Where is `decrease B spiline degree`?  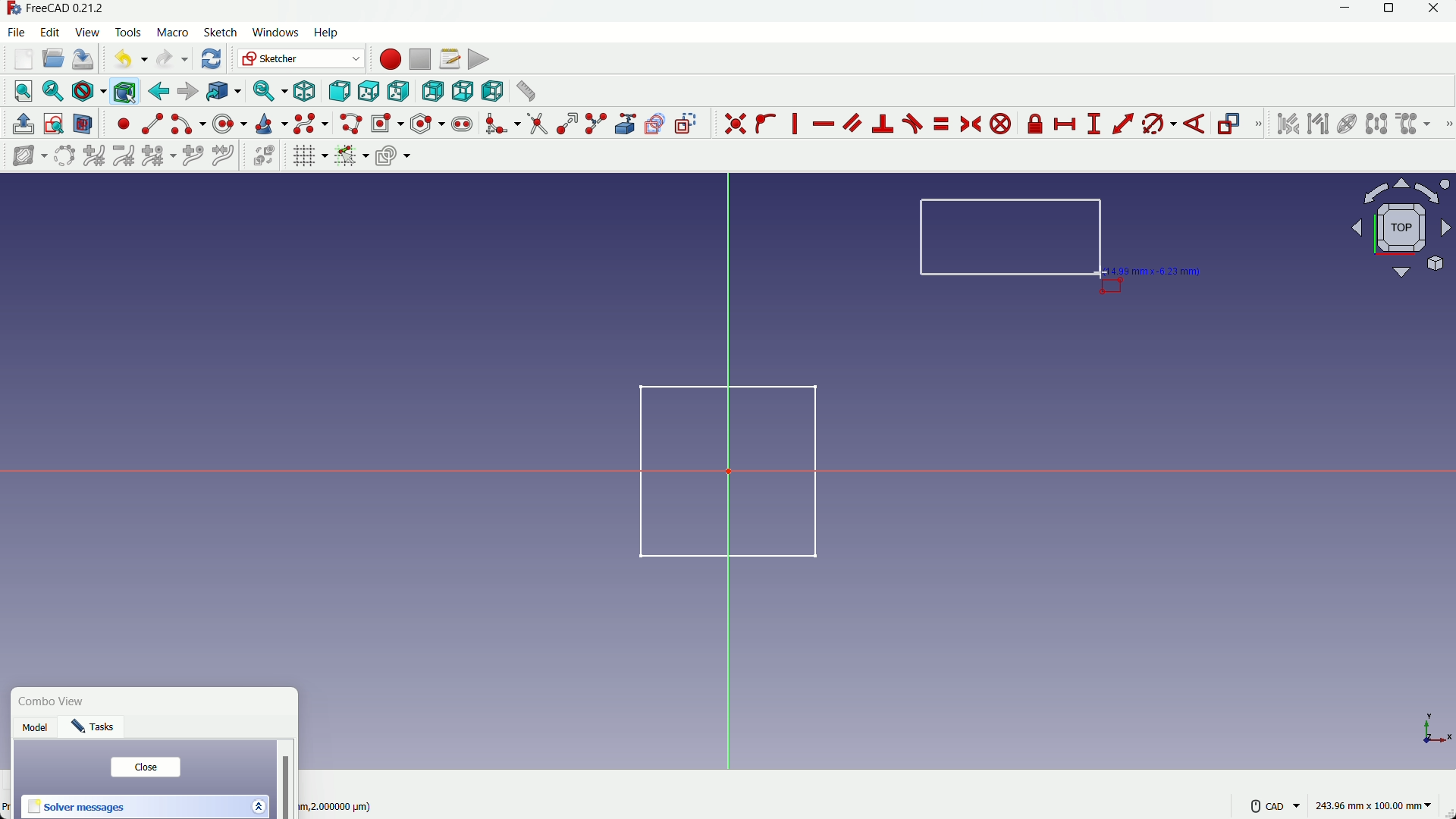
decrease B spiline degree is located at coordinates (124, 155).